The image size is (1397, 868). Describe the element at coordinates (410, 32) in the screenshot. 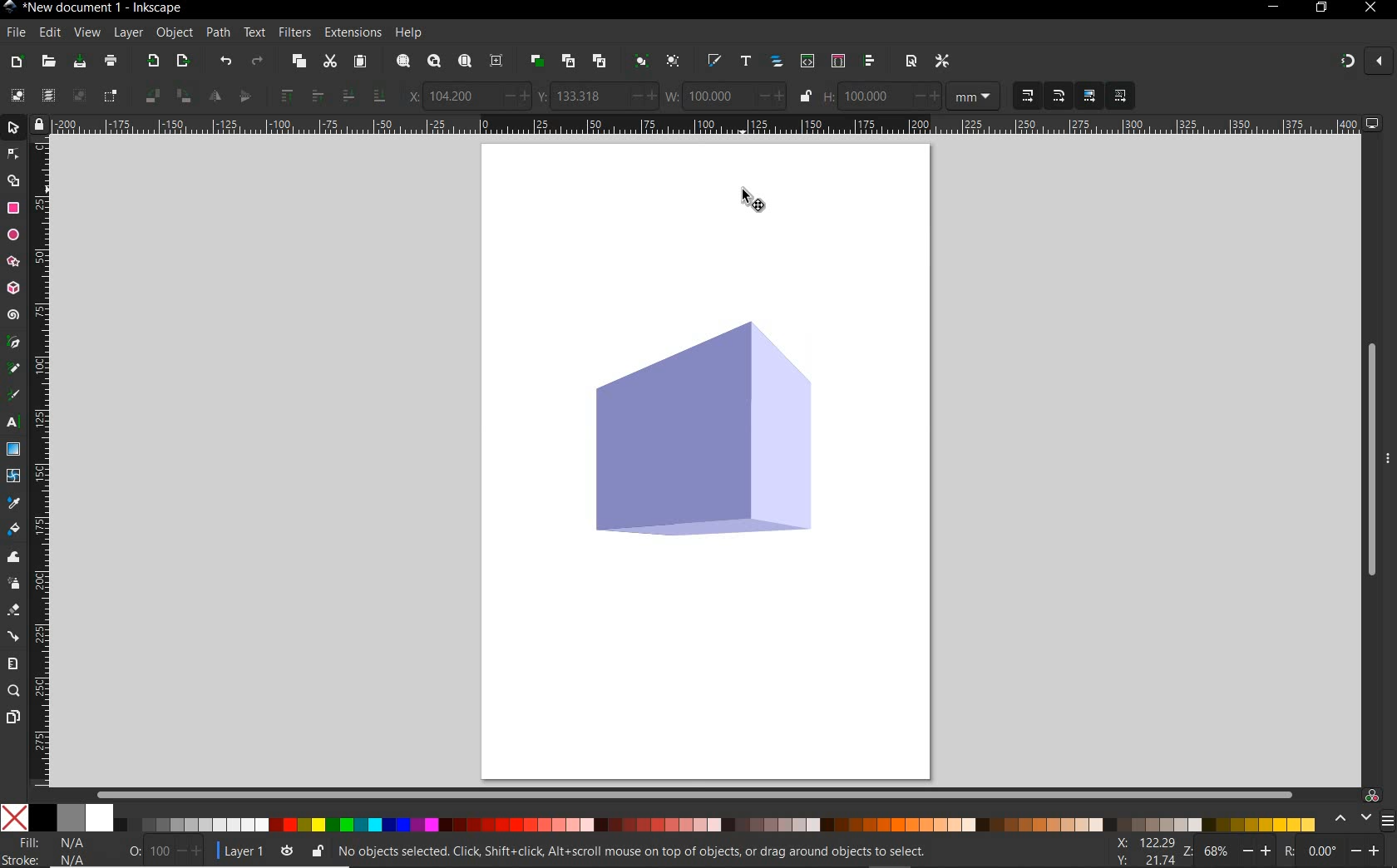

I see `help` at that location.